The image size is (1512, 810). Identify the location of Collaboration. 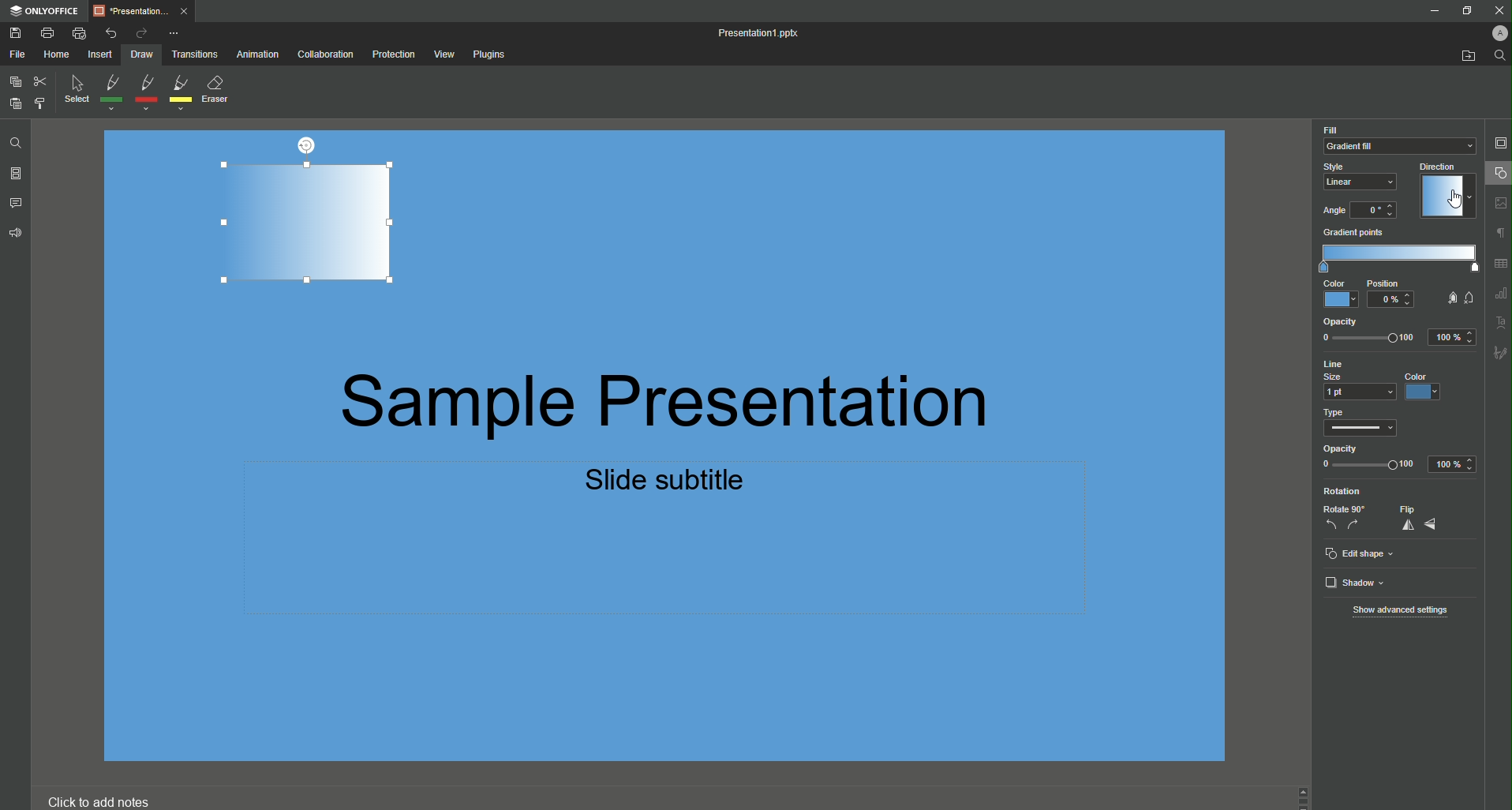
(324, 55).